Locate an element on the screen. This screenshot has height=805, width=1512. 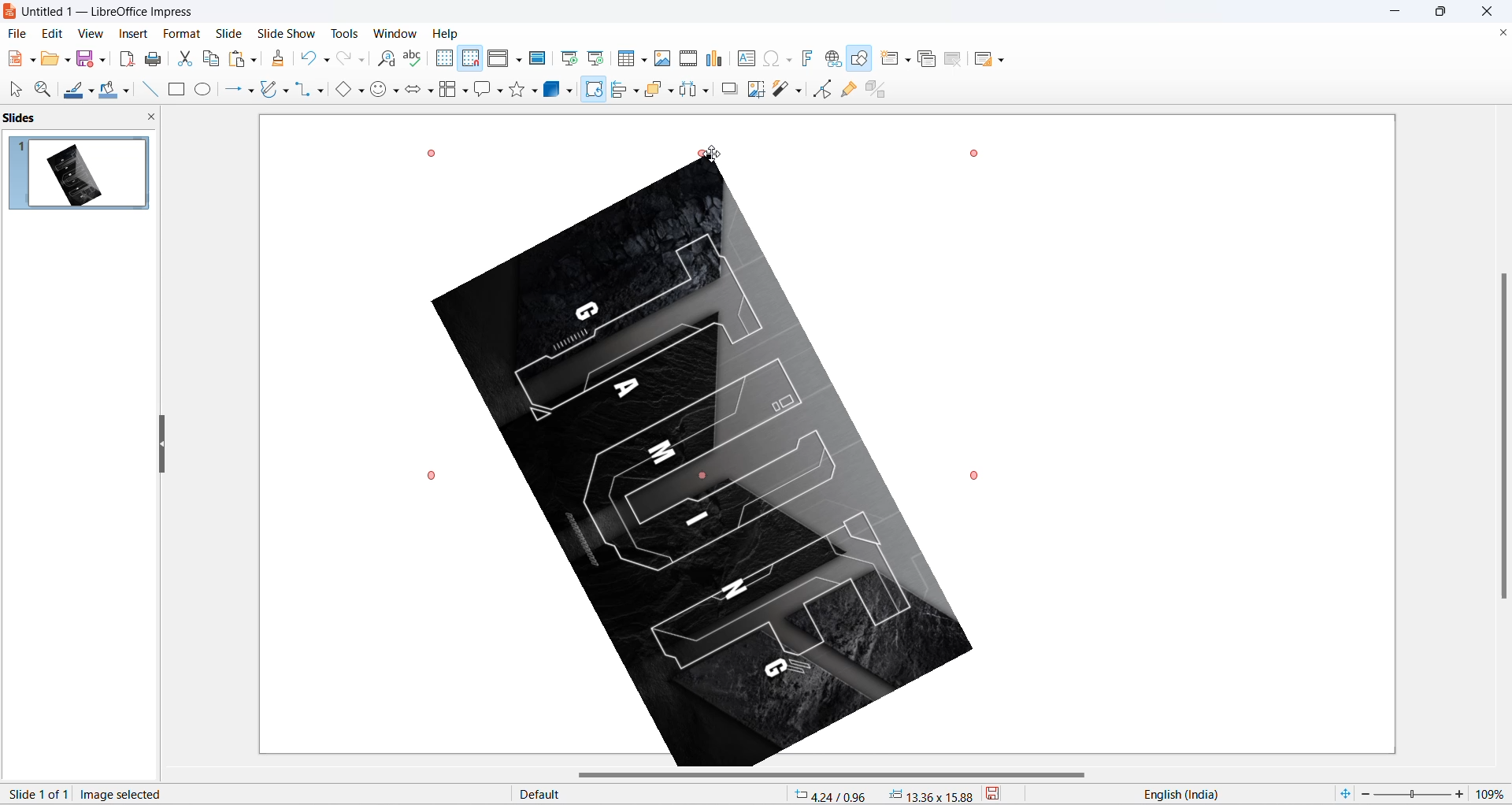
display grid is located at coordinates (443, 57).